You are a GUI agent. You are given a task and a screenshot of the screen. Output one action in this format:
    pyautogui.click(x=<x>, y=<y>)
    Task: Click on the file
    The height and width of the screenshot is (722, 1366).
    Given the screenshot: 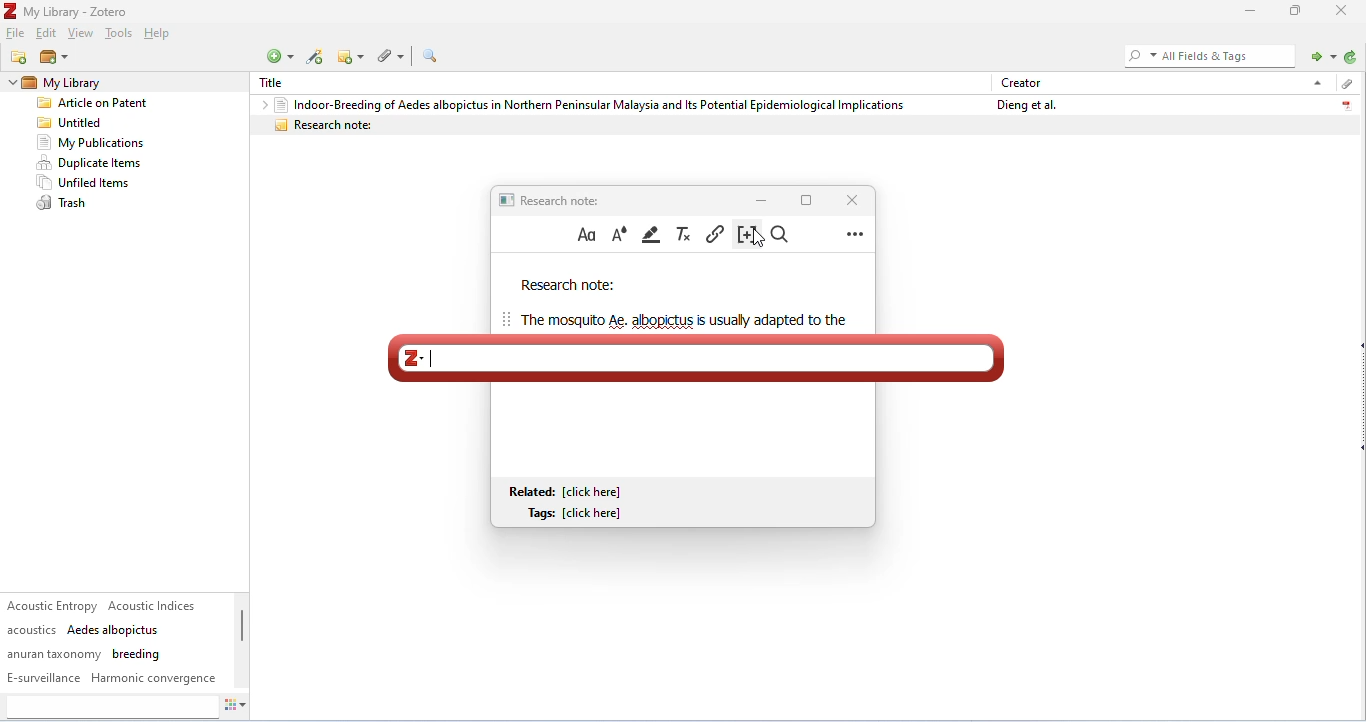 What is the action you would take?
    pyautogui.click(x=17, y=34)
    